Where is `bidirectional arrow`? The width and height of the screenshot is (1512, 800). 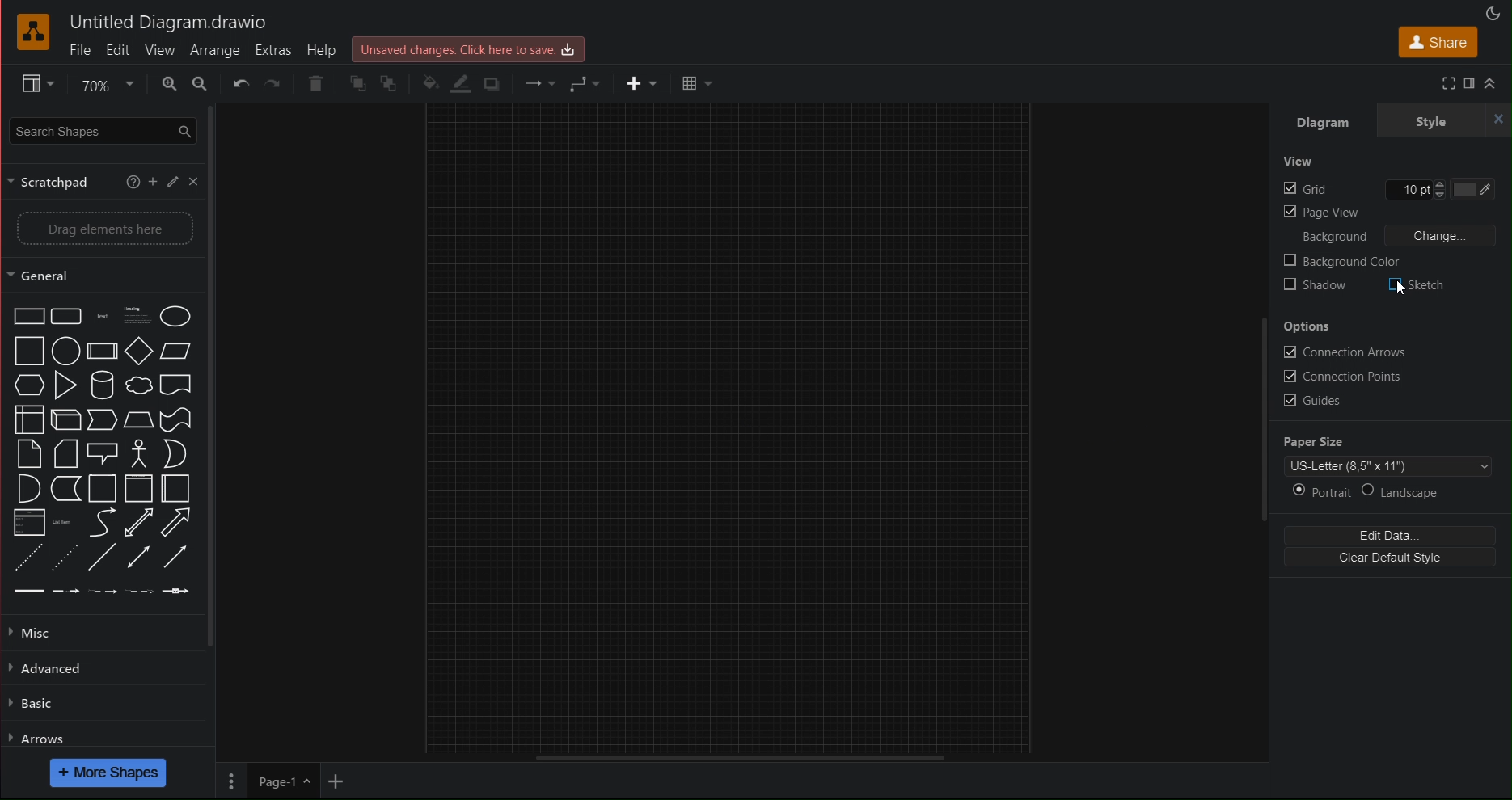 bidirectional arrow is located at coordinates (140, 524).